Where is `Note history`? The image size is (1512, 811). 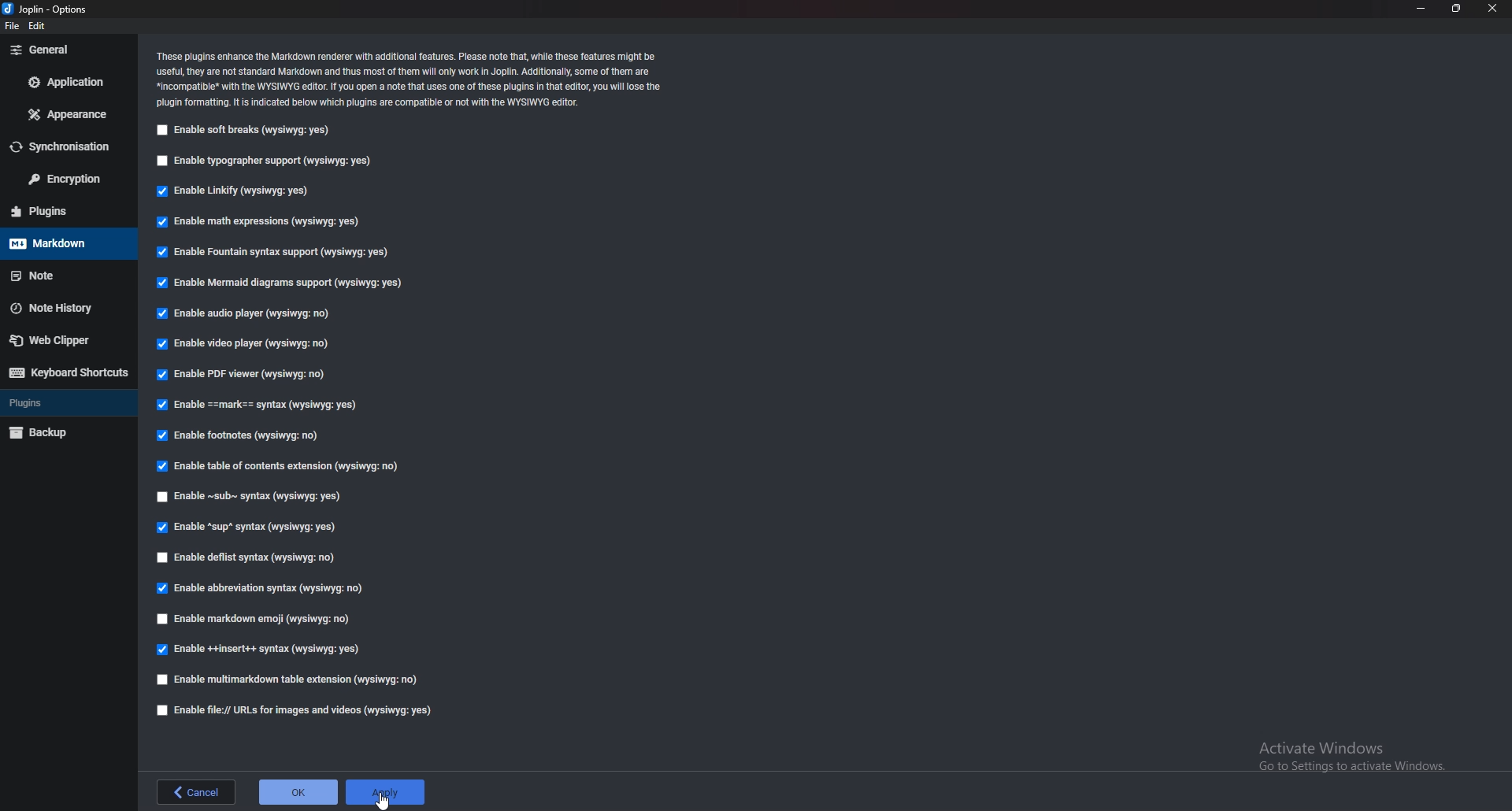 Note history is located at coordinates (62, 306).